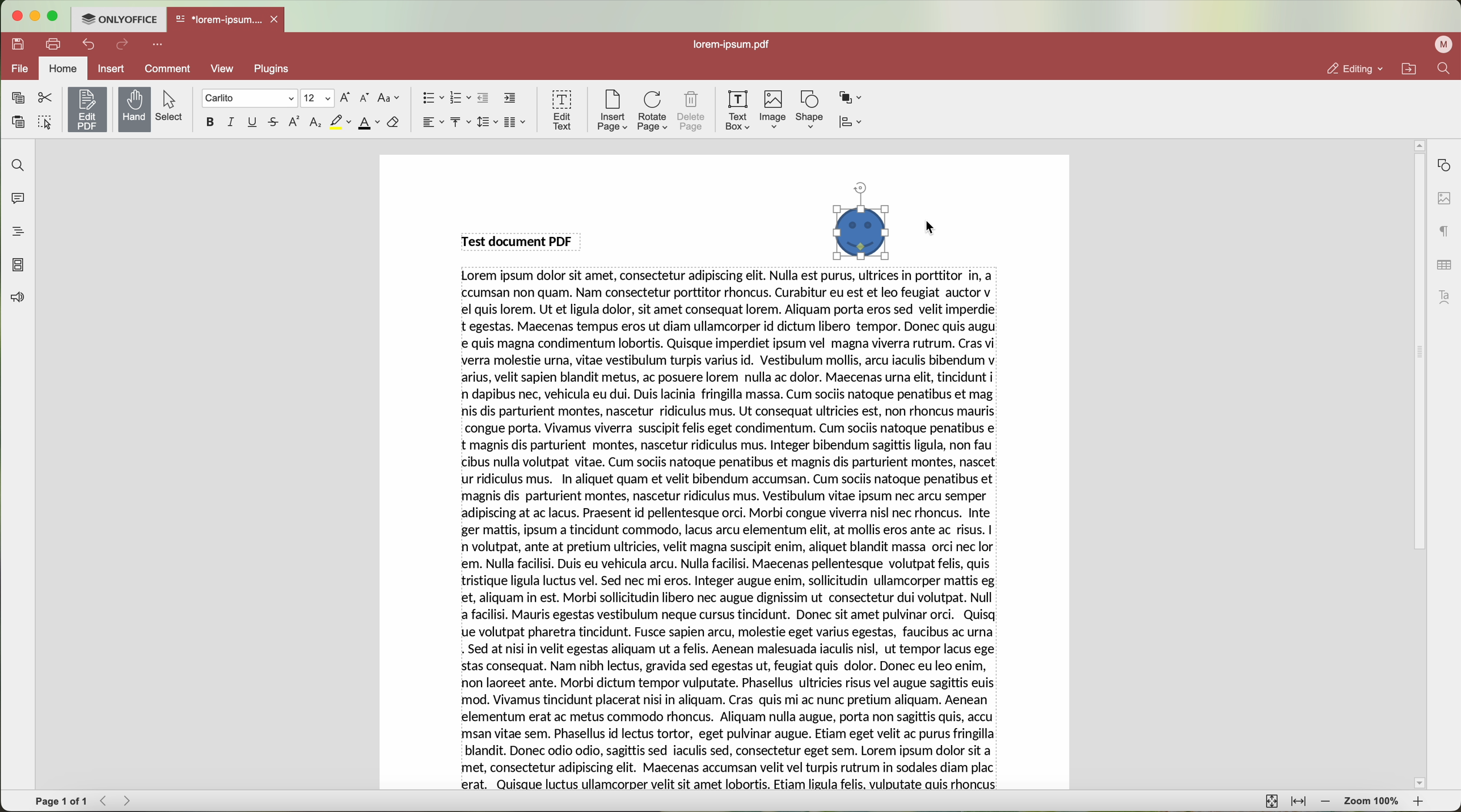 The height and width of the screenshot is (812, 1461). What do you see at coordinates (45, 98) in the screenshot?
I see `cut` at bounding box center [45, 98].